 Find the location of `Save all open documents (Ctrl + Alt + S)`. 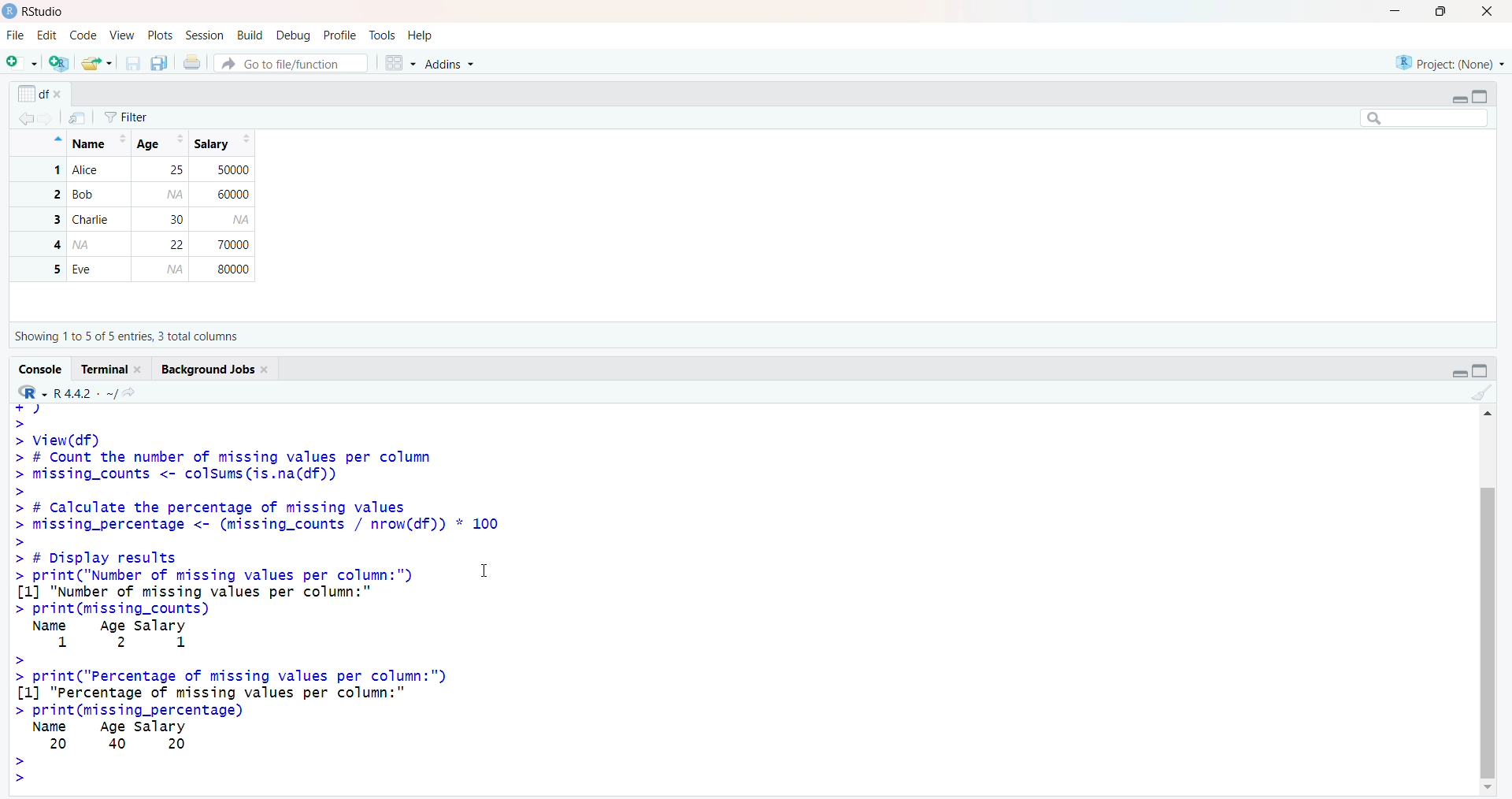

Save all open documents (Ctrl + Alt + S) is located at coordinates (160, 63).